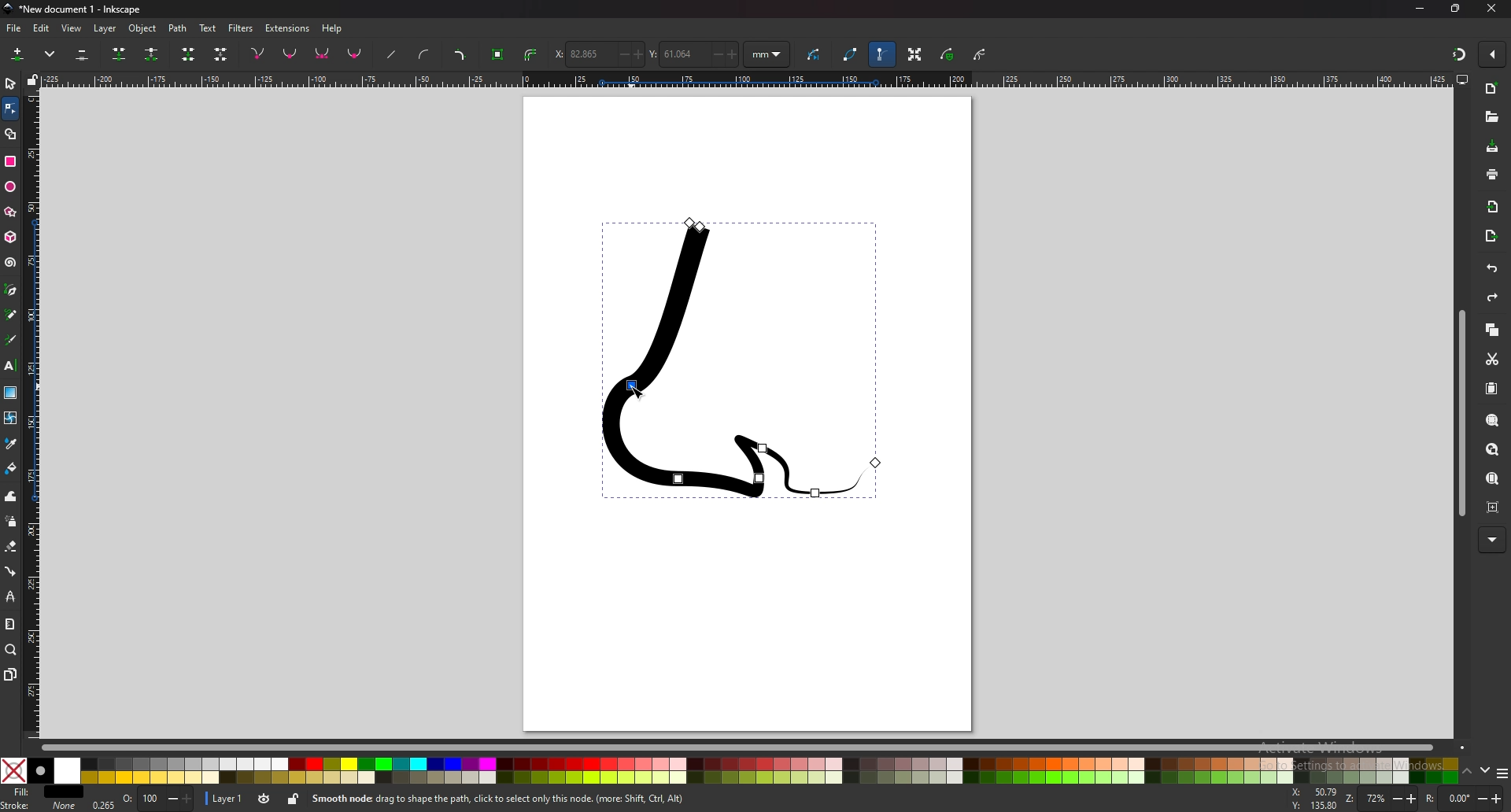 Image resolution: width=1511 pixels, height=812 pixels. What do you see at coordinates (1492, 330) in the screenshot?
I see `copy` at bounding box center [1492, 330].